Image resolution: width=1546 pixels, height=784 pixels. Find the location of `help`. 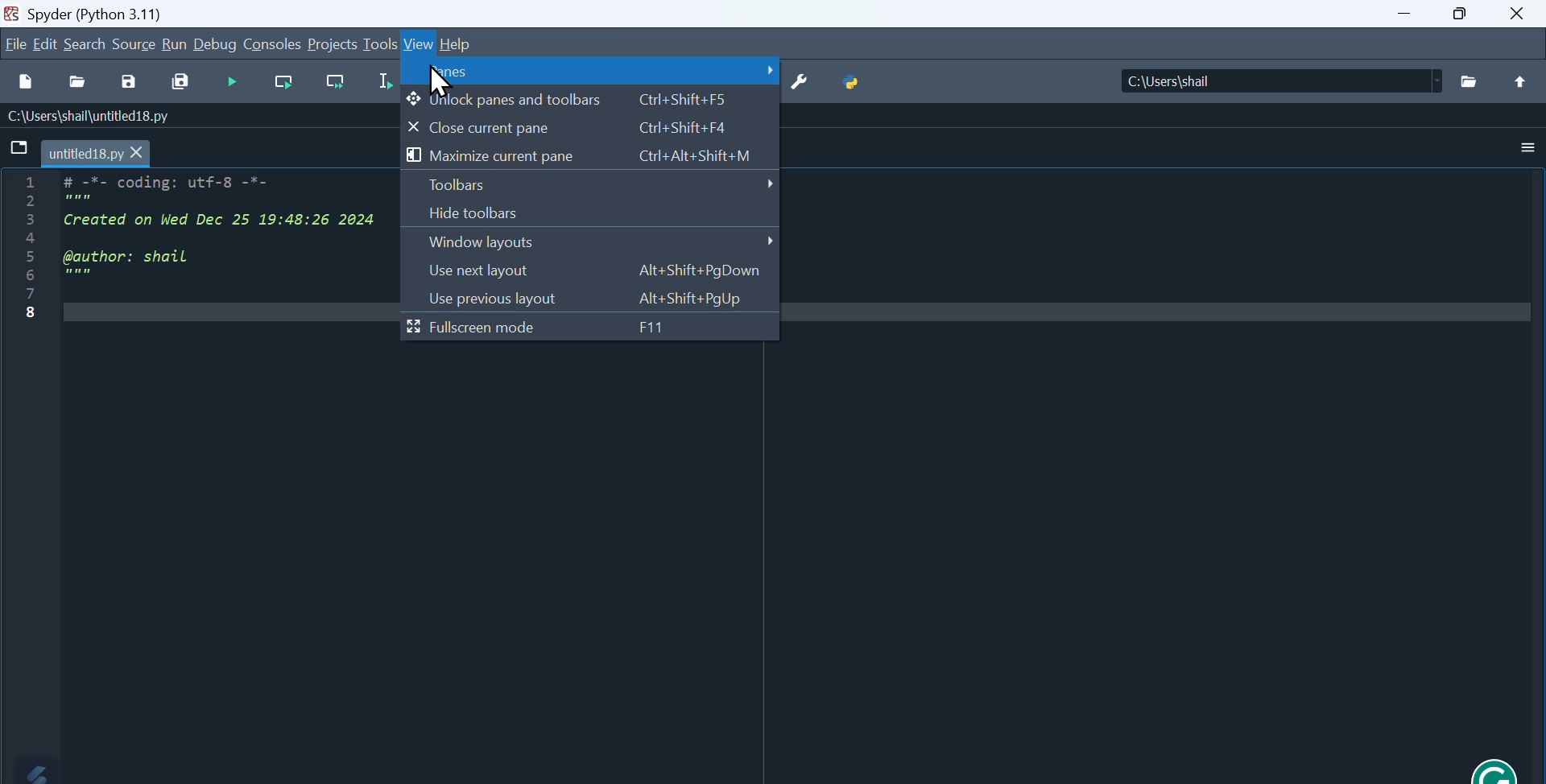

help is located at coordinates (462, 45).